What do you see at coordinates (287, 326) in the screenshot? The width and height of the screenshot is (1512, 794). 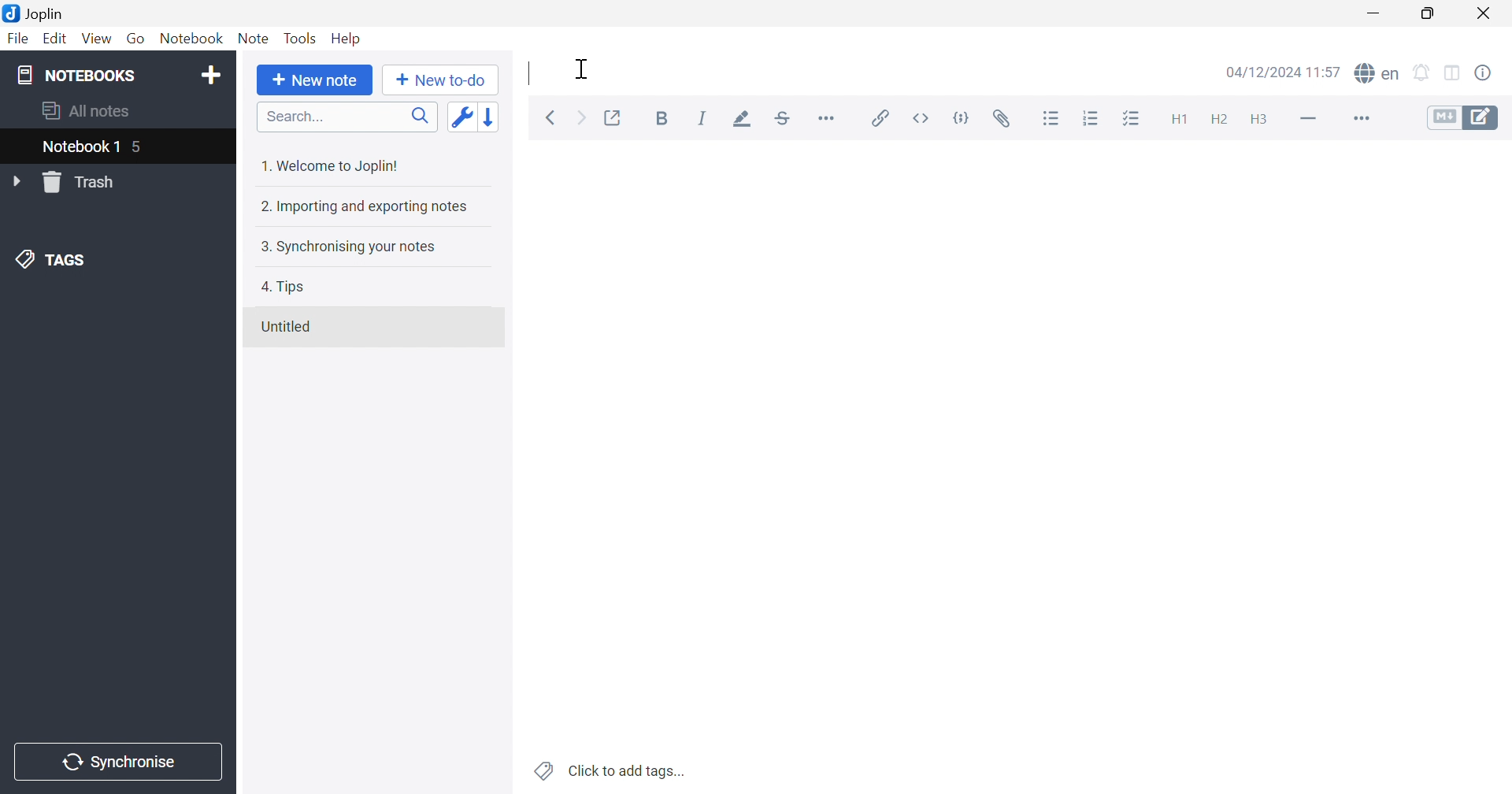 I see `Untitled` at bounding box center [287, 326].